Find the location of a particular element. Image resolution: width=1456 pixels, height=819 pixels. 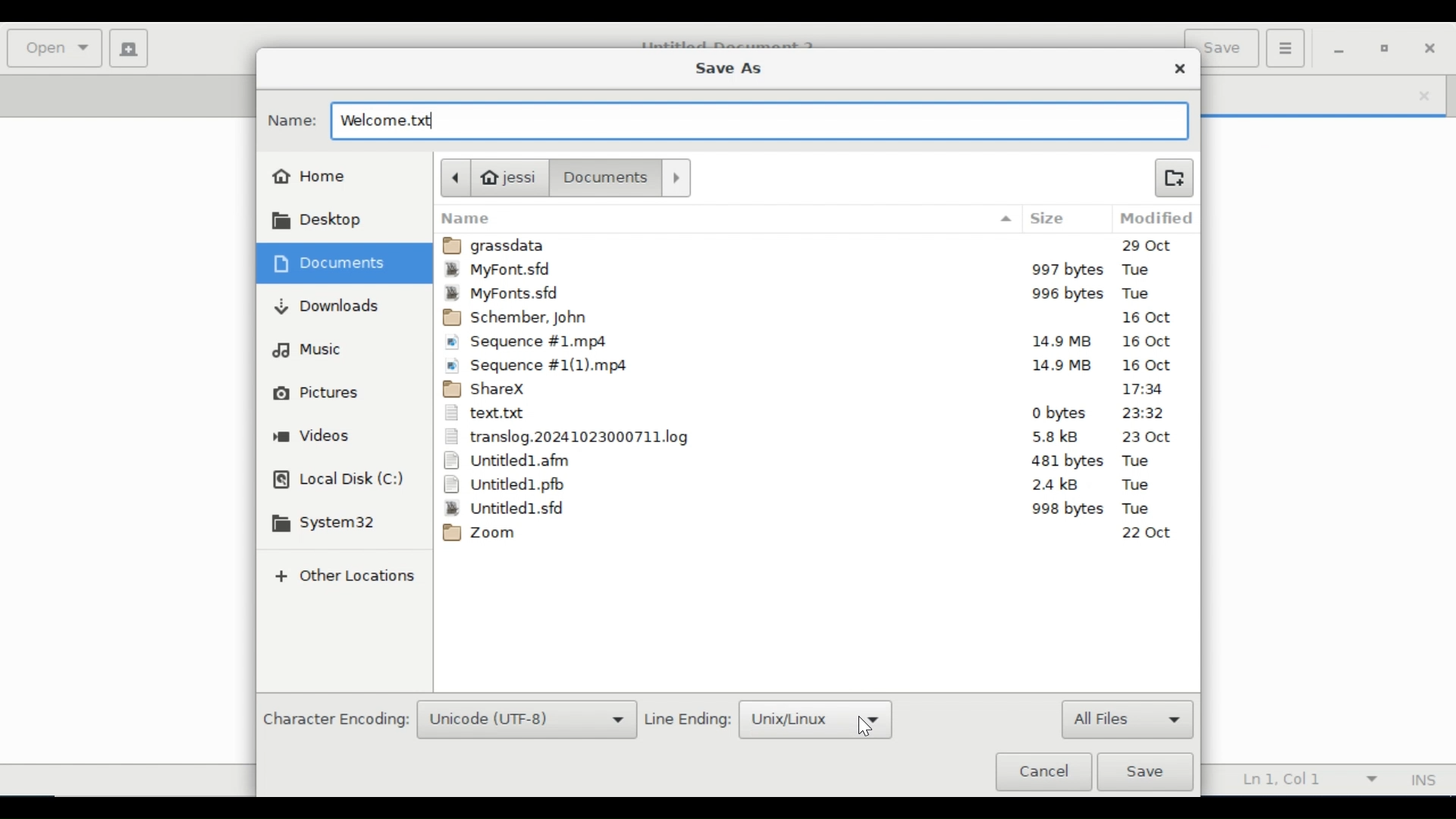

Back is located at coordinates (454, 177).